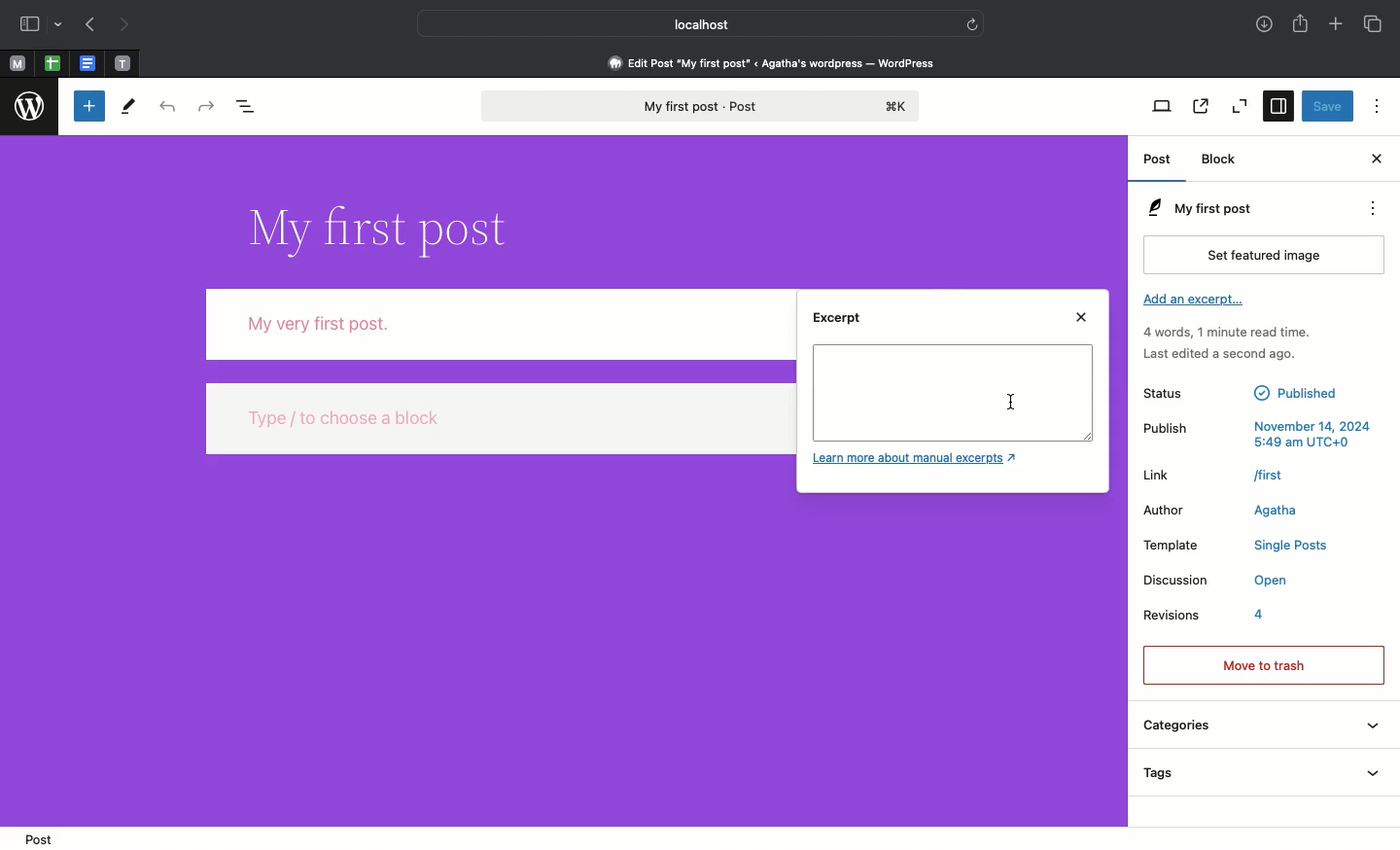  What do you see at coordinates (1215, 583) in the screenshot?
I see `Discussion` at bounding box center [1215, 583].